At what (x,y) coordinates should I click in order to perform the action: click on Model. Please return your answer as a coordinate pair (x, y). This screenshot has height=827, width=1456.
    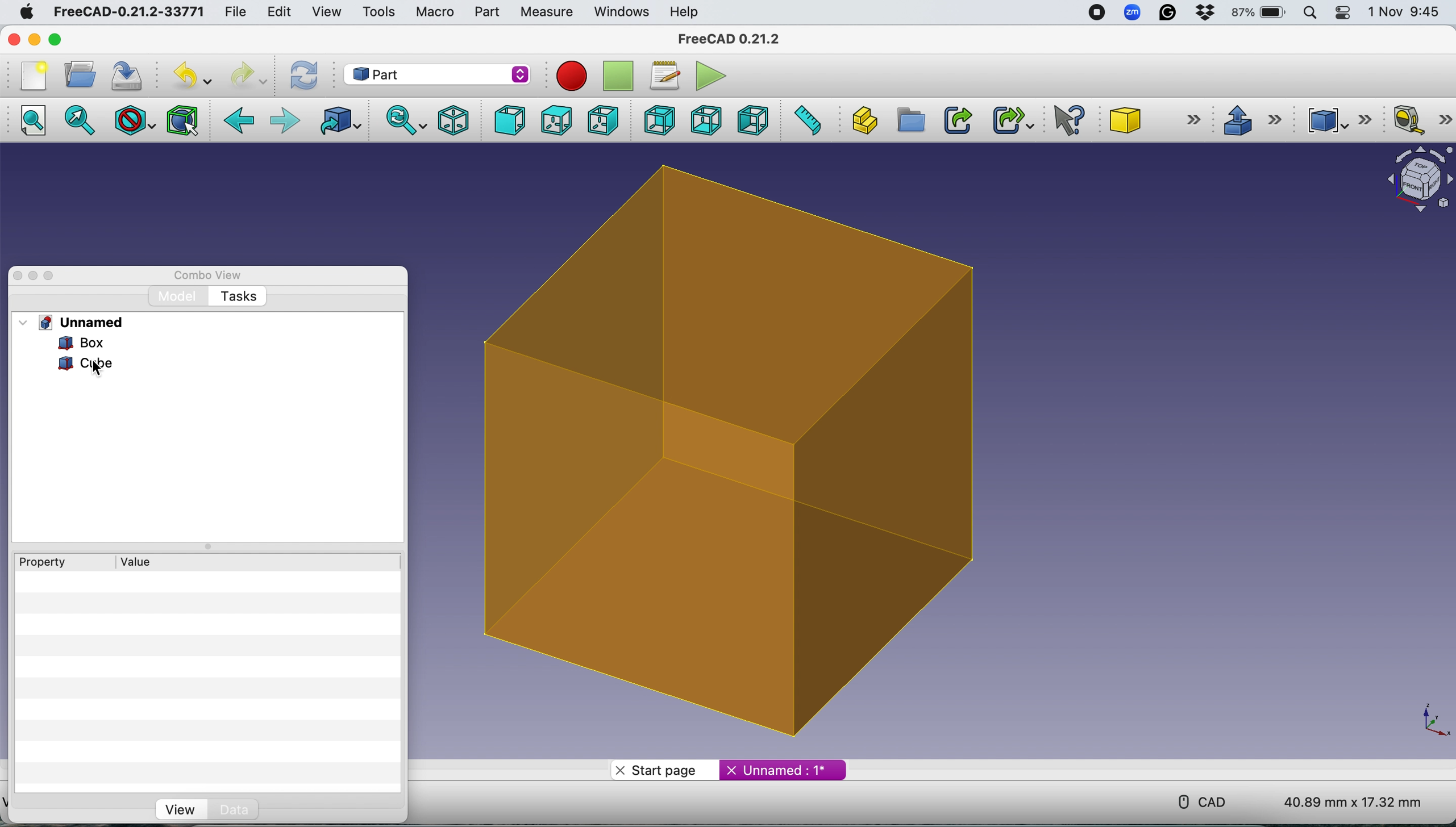
    Looking at the image, I should click on (178, 297).